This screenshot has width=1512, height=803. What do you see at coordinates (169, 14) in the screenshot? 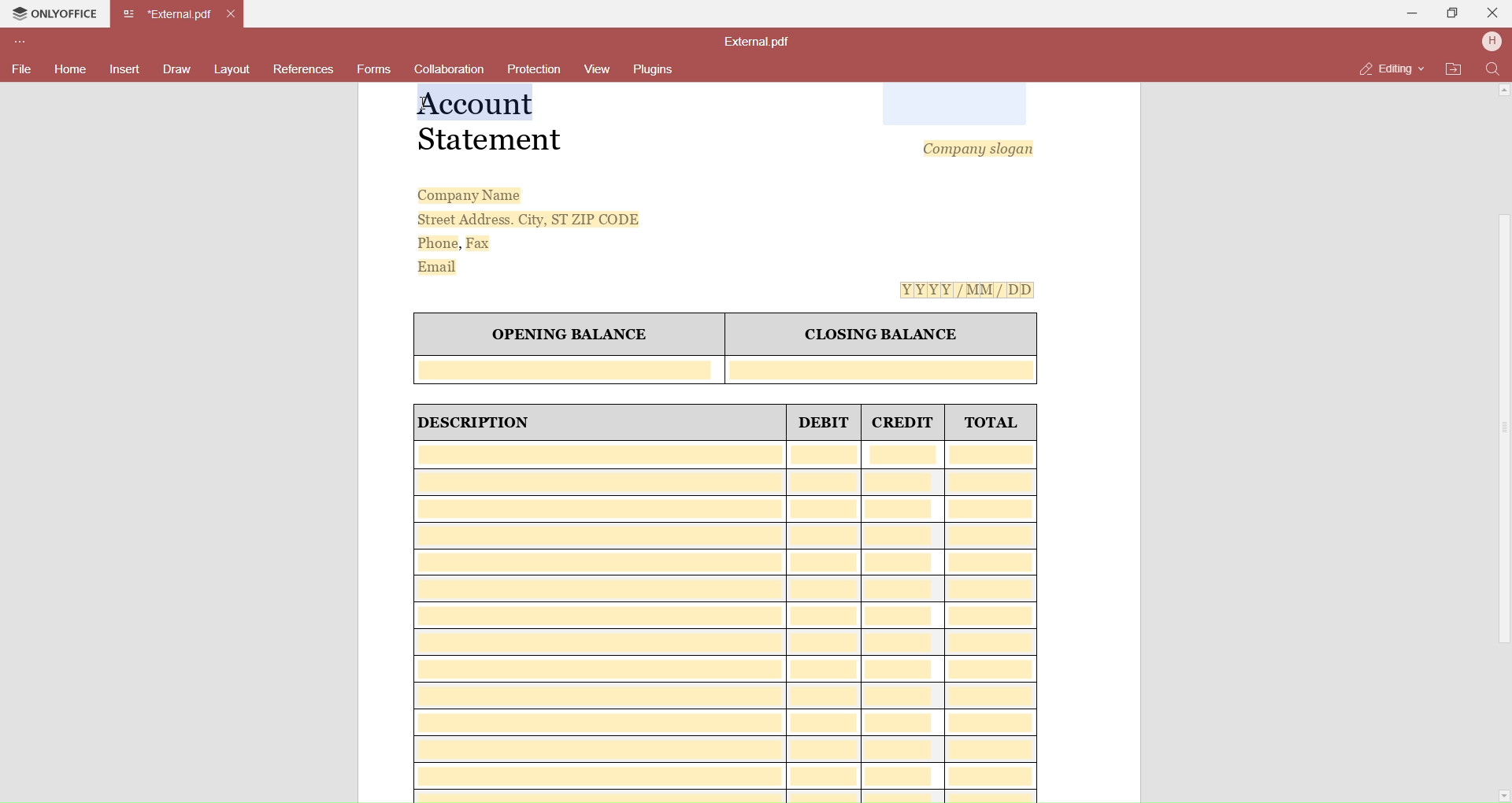
I see `Current open tab` at bounding box center [169, 14].